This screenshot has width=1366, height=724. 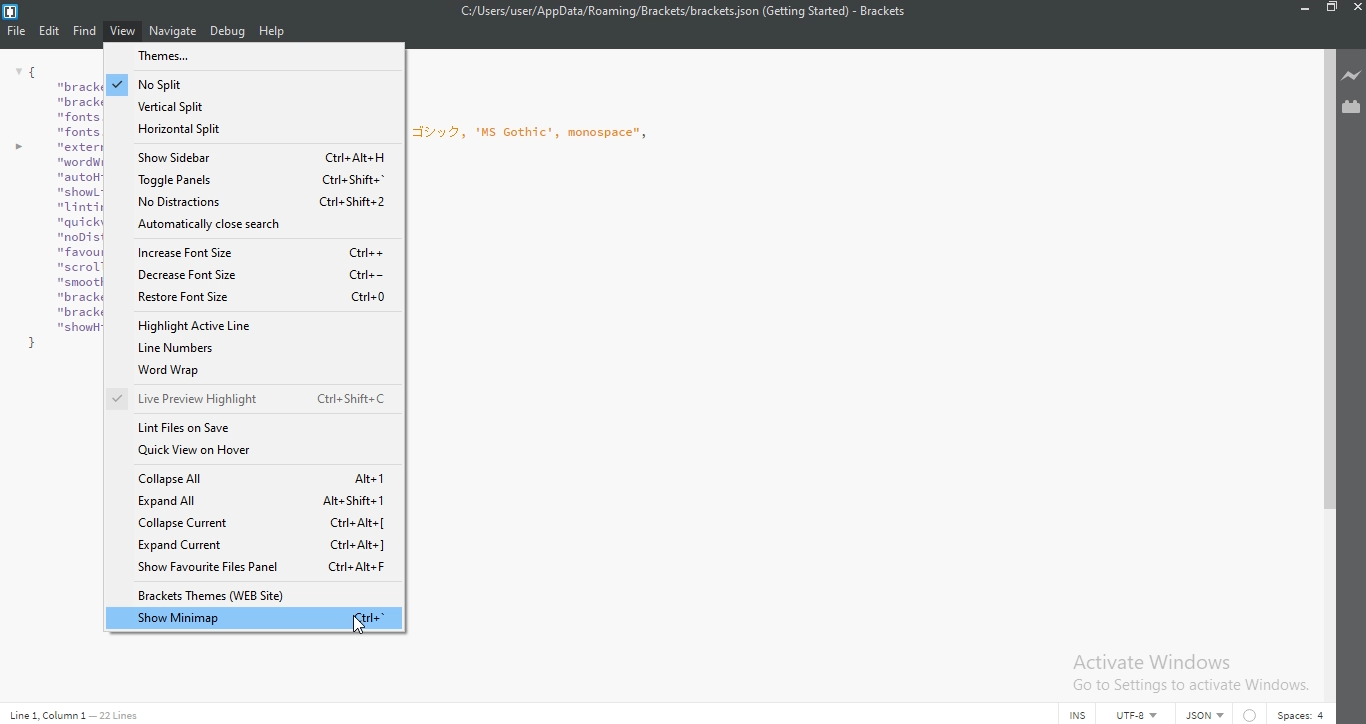 I want to click on show favourites files panles, so click(x=244, y=567).